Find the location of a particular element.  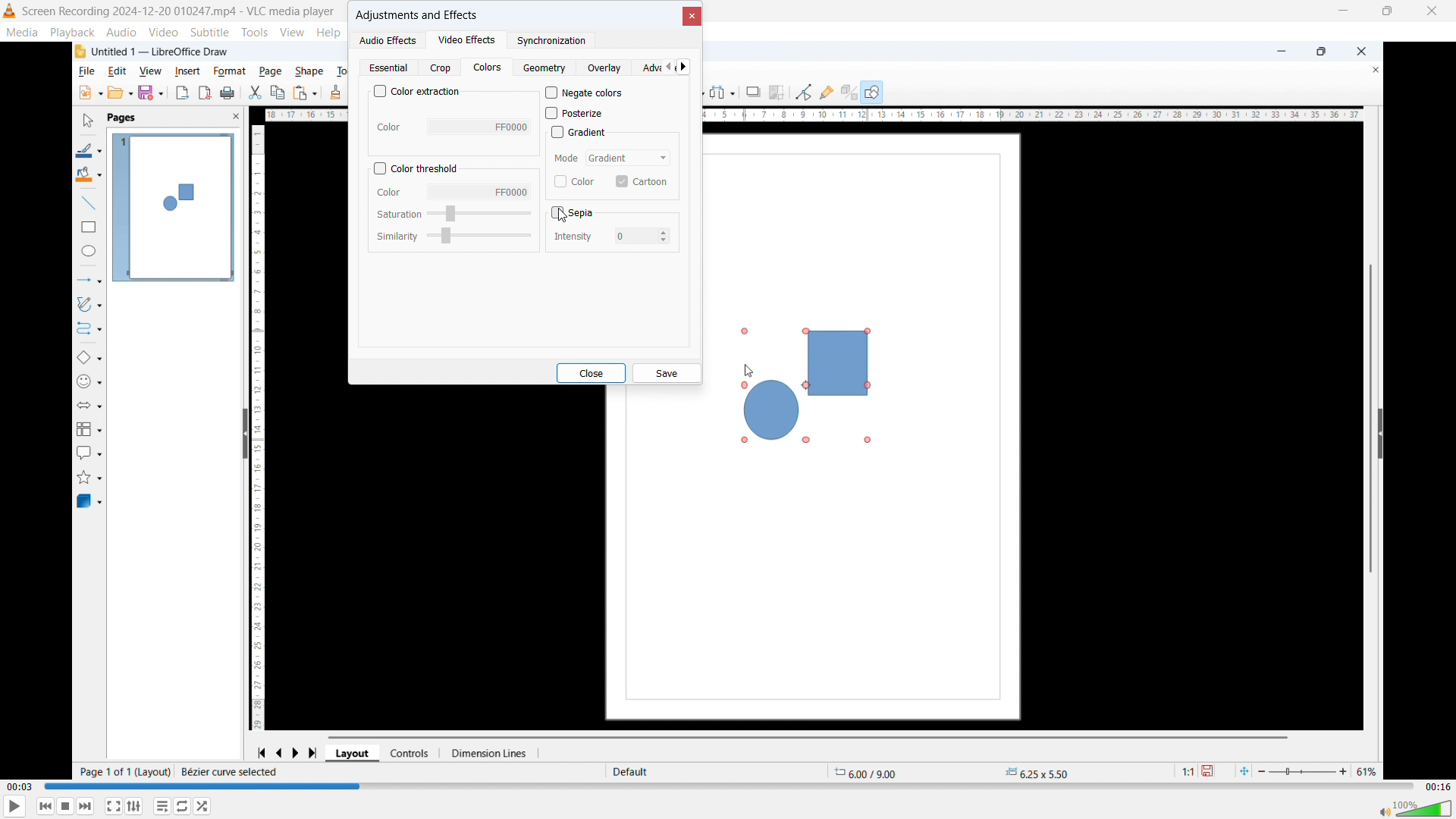

Colour is located at coordinates (388, 192).